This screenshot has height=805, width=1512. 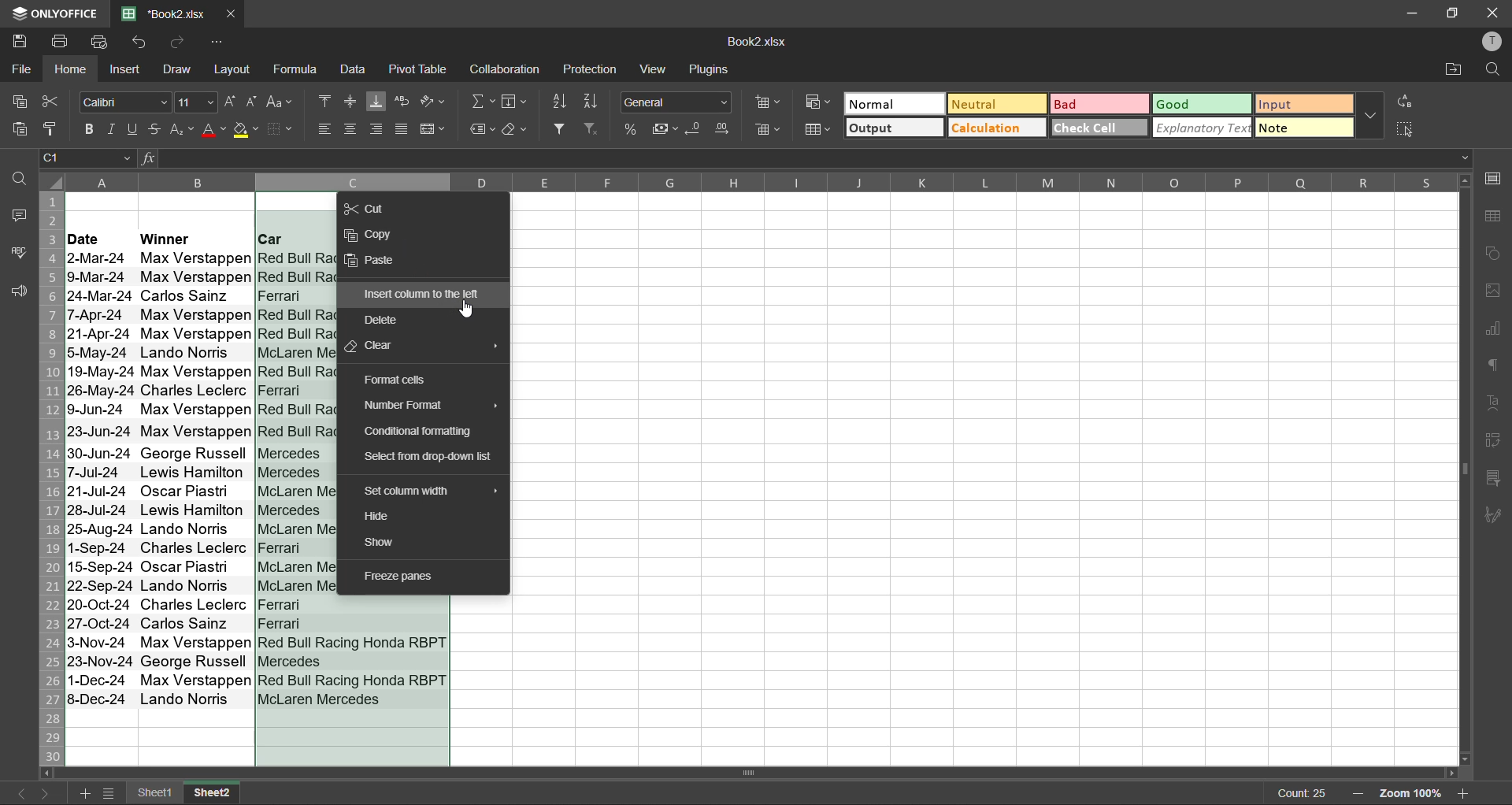 What do you see at coordinates (1406, 131) in the screenshot?
I see `select all` at bounding box center [1406, 131].